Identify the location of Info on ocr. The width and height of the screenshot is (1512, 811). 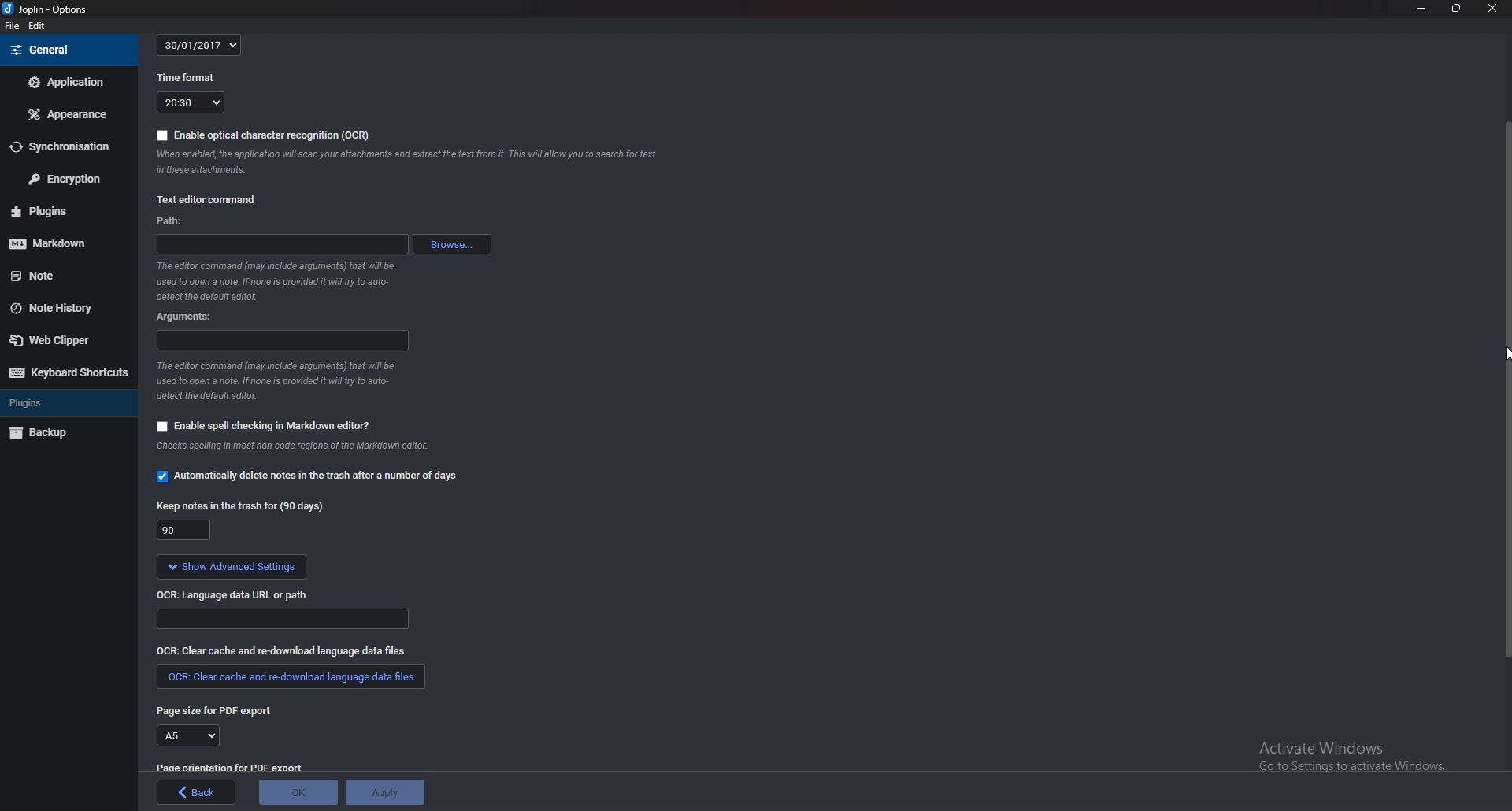
(409, 164).